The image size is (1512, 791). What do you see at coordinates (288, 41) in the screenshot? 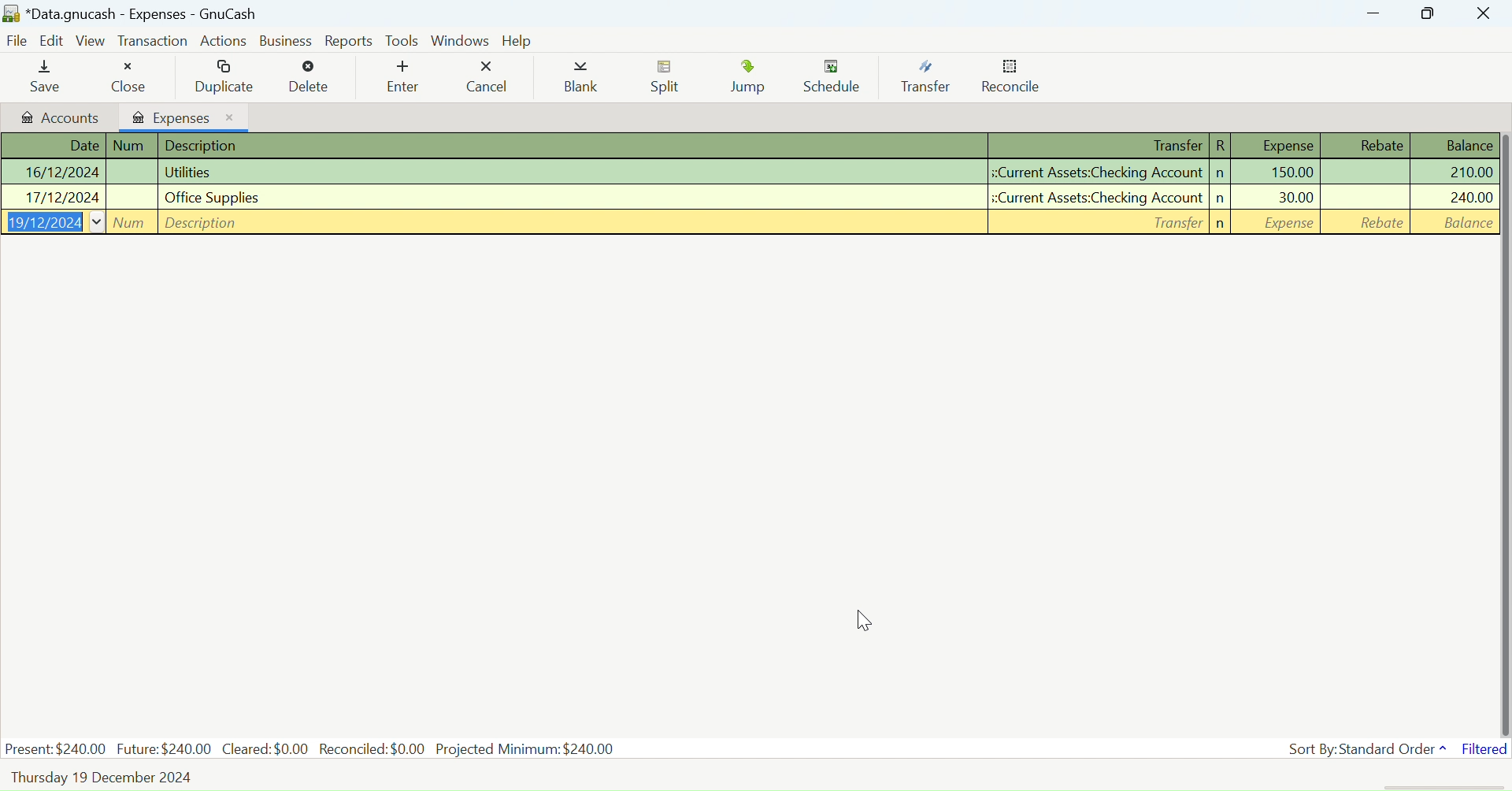
I see `Business` at bounding box center [288, 41].